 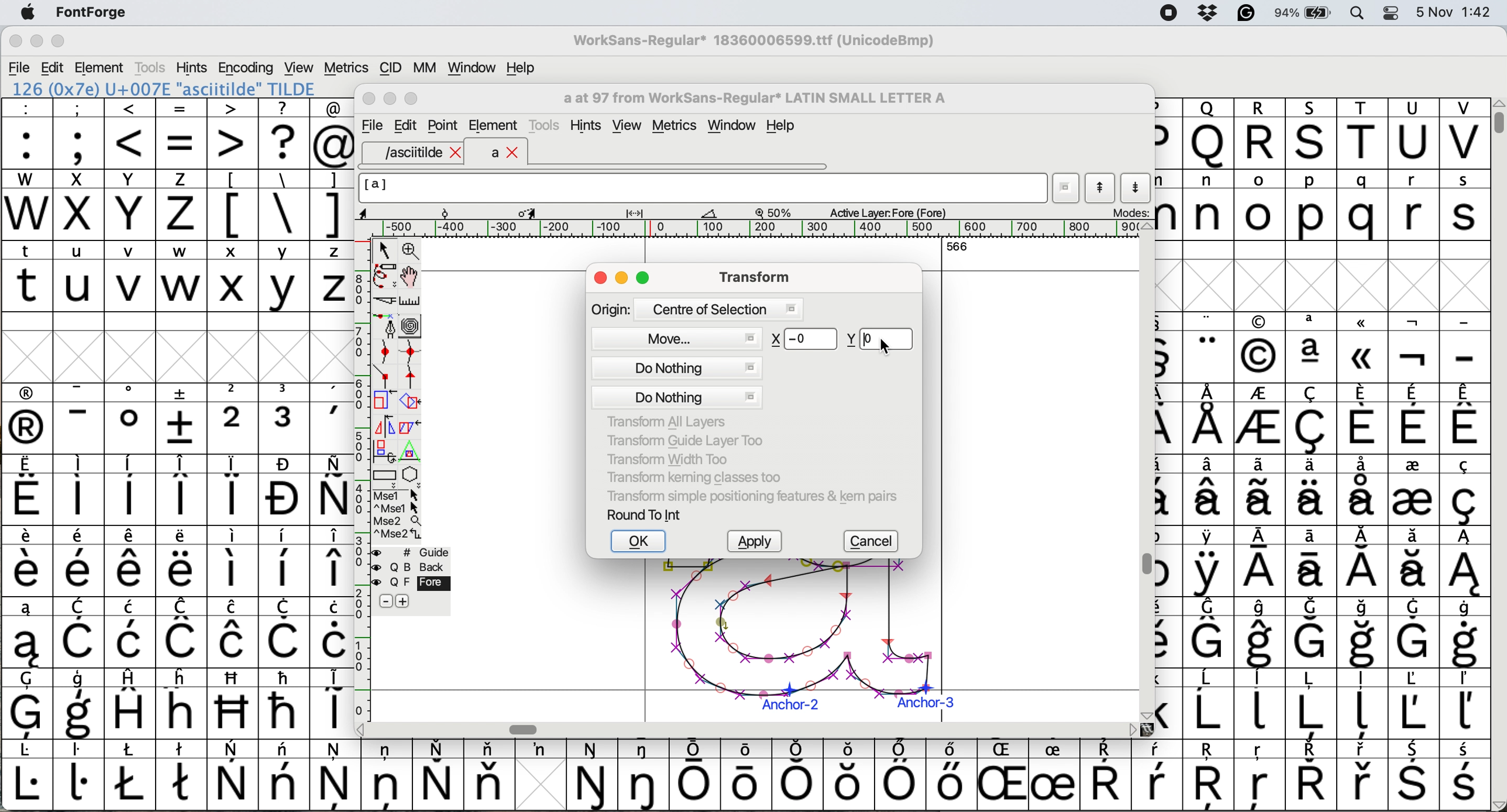 I want to click on a, so click(x=505, y=153).